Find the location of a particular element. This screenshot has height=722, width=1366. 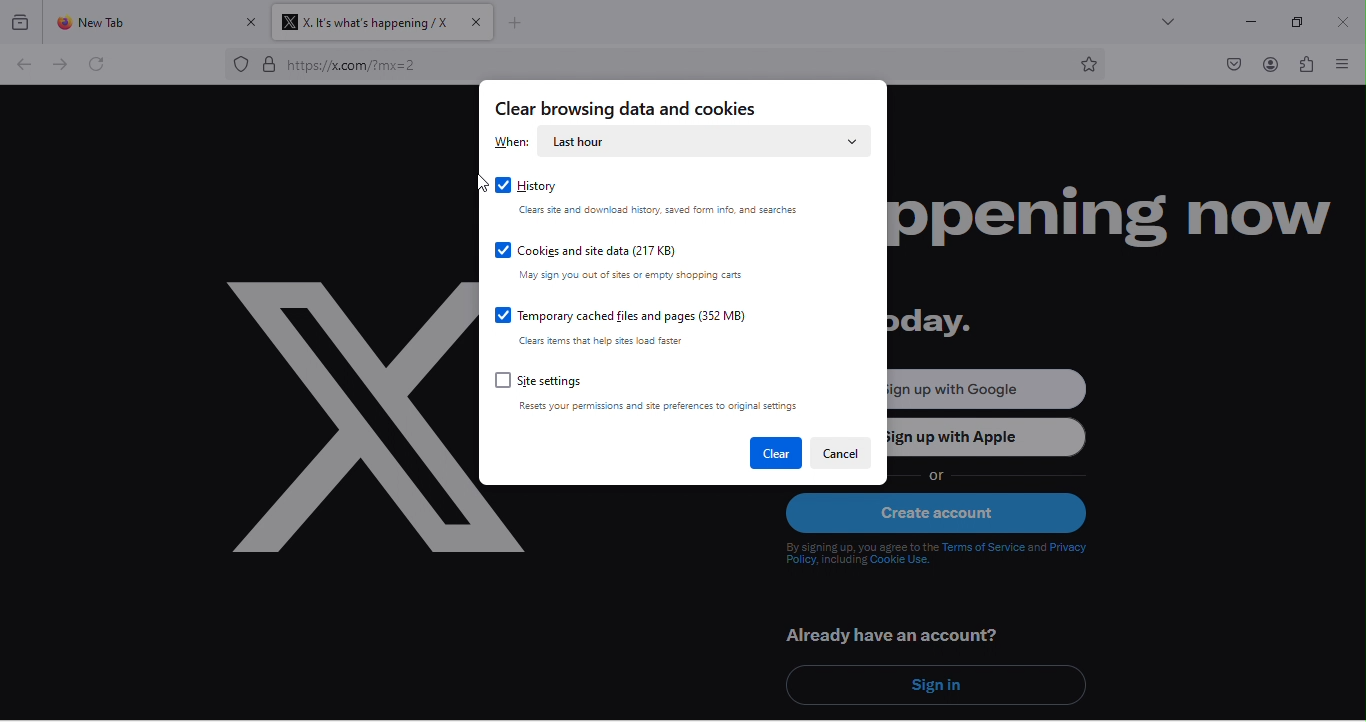

cancel is located at coordinates (841, 455).